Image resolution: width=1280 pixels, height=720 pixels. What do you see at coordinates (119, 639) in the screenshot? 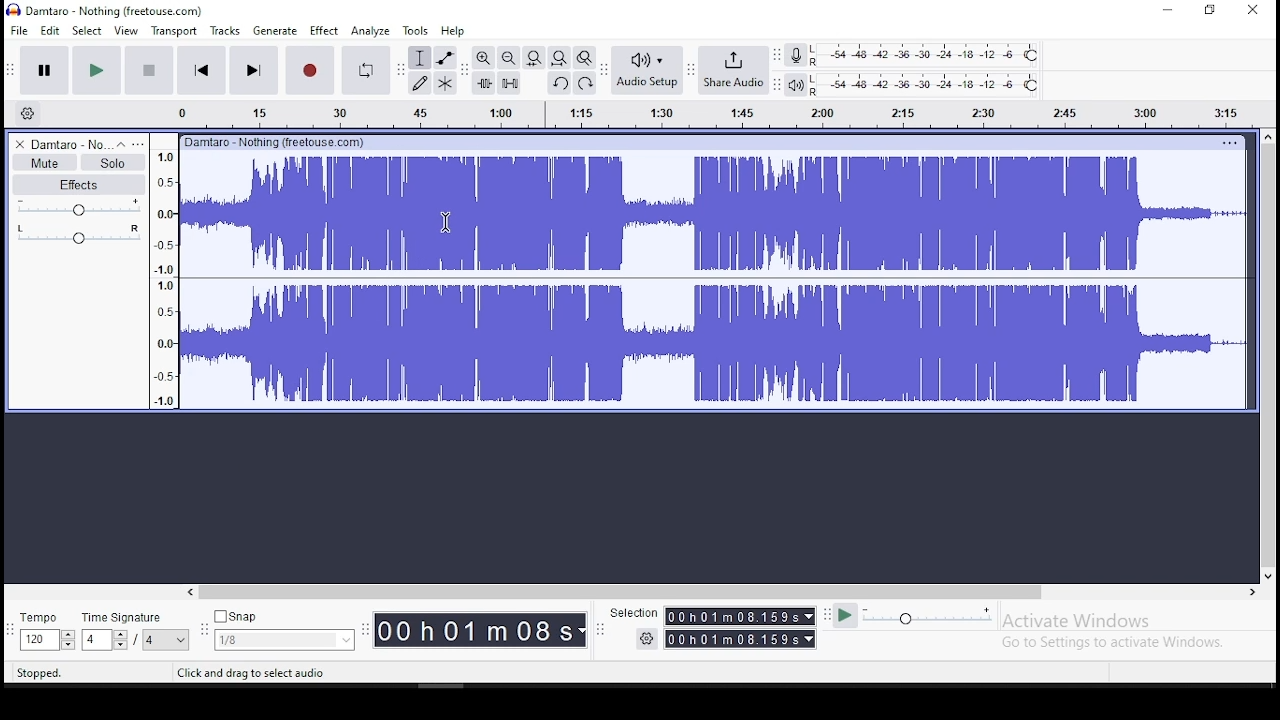
I see `Drop down` at bounding box center [119, 639].